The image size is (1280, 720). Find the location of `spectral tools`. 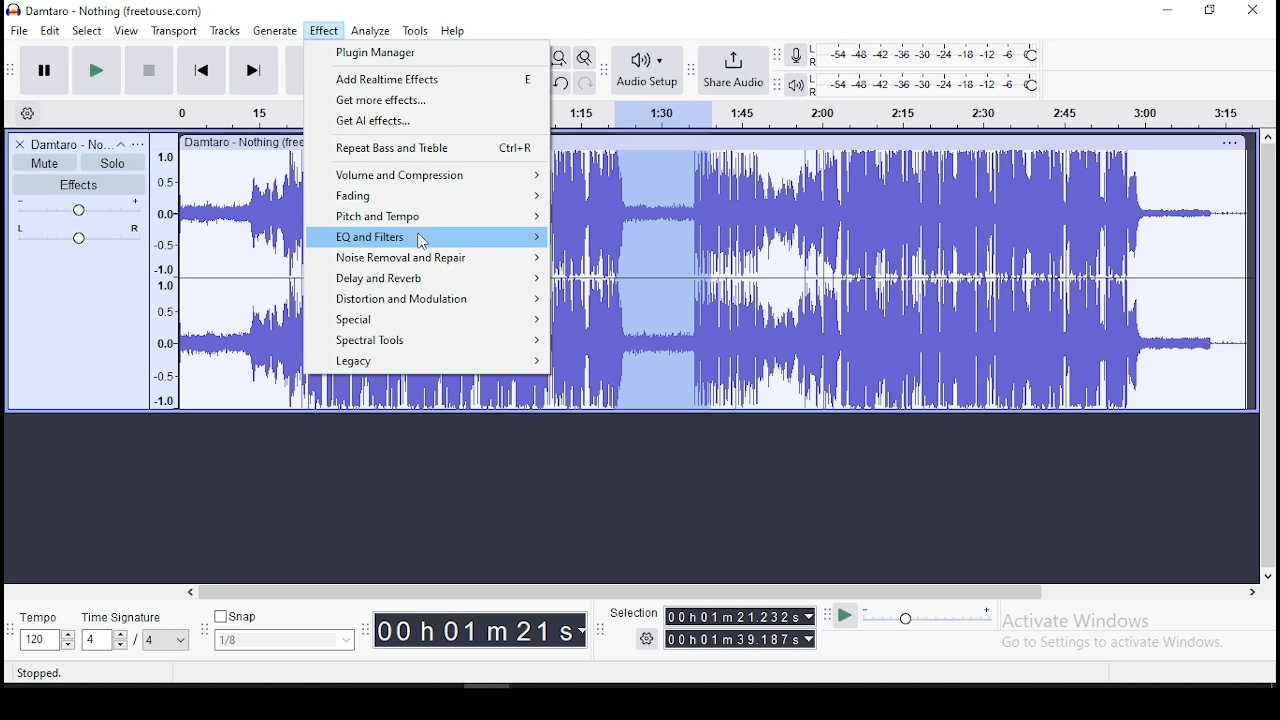

spectral tools is located at coordinates (425, 341).